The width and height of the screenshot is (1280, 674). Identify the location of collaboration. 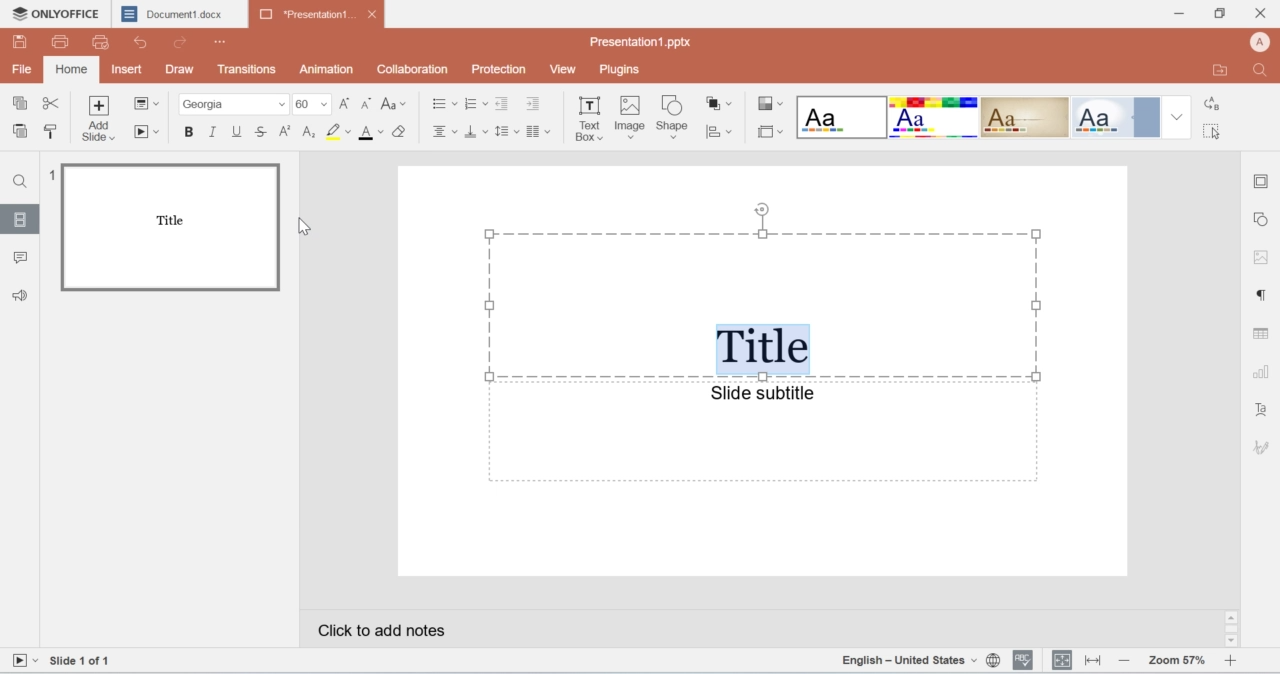
(410, 69).